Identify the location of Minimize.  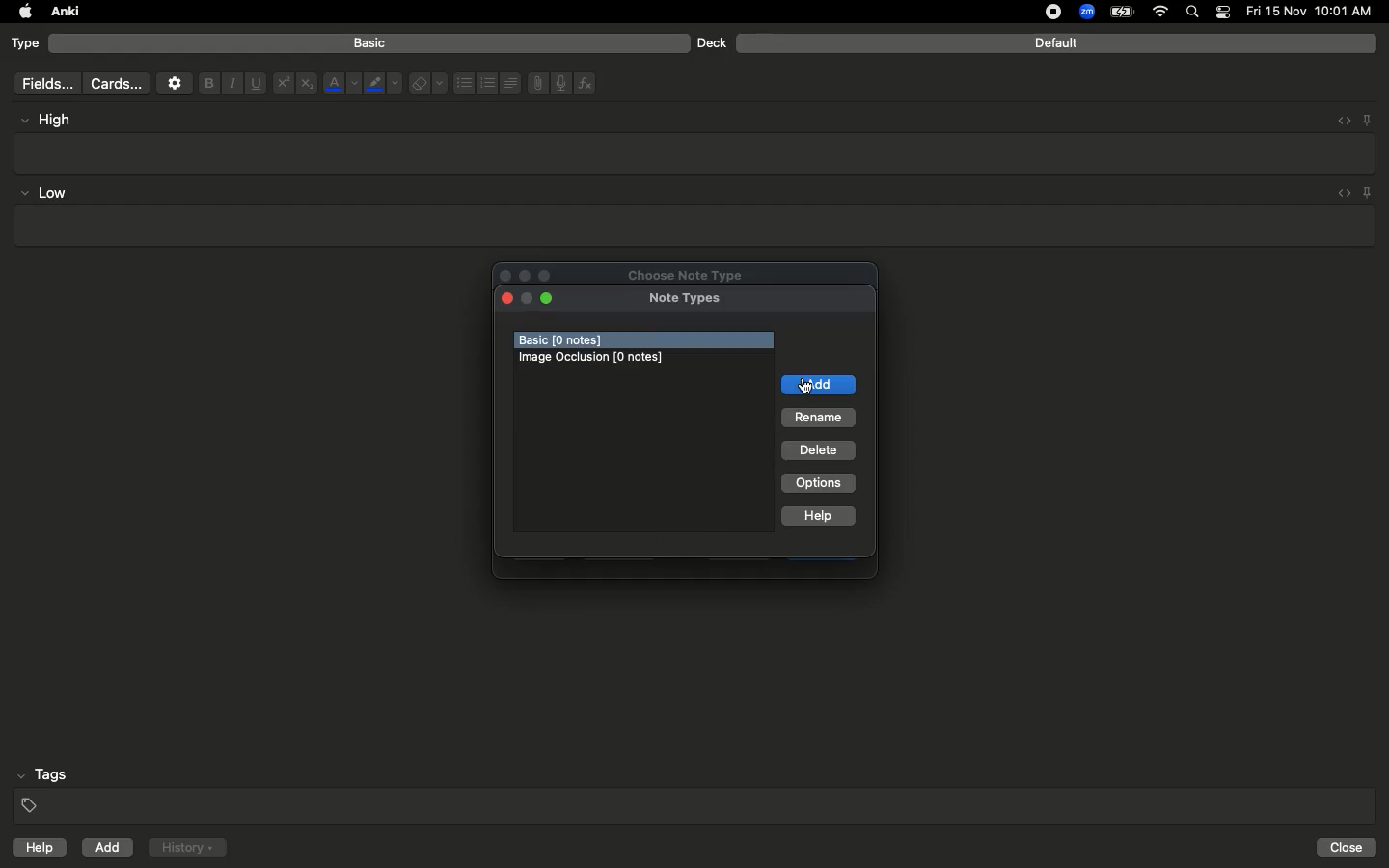
(551, 299).